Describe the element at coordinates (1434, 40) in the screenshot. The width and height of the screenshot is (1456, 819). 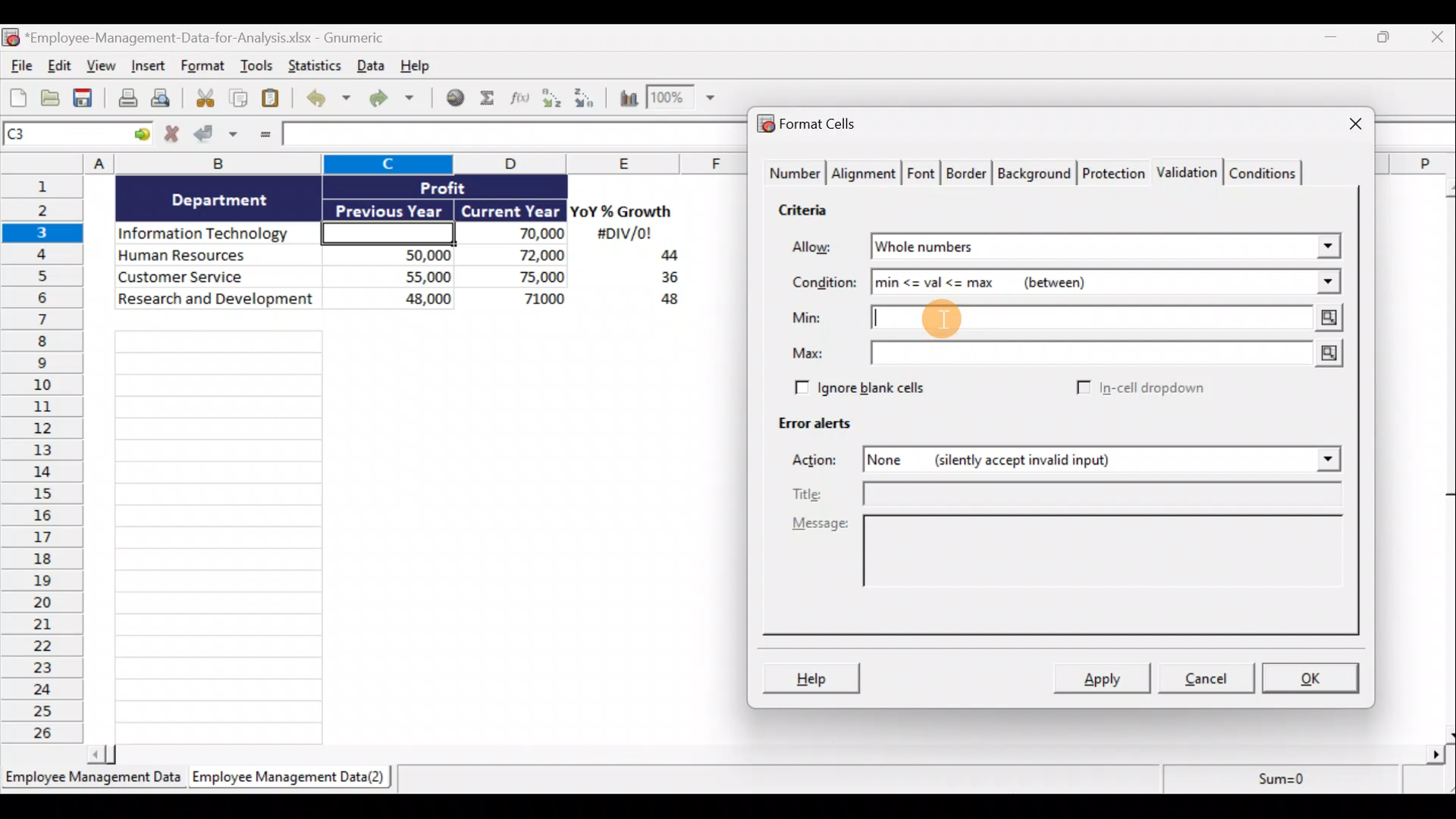
I see `Close` at that location.